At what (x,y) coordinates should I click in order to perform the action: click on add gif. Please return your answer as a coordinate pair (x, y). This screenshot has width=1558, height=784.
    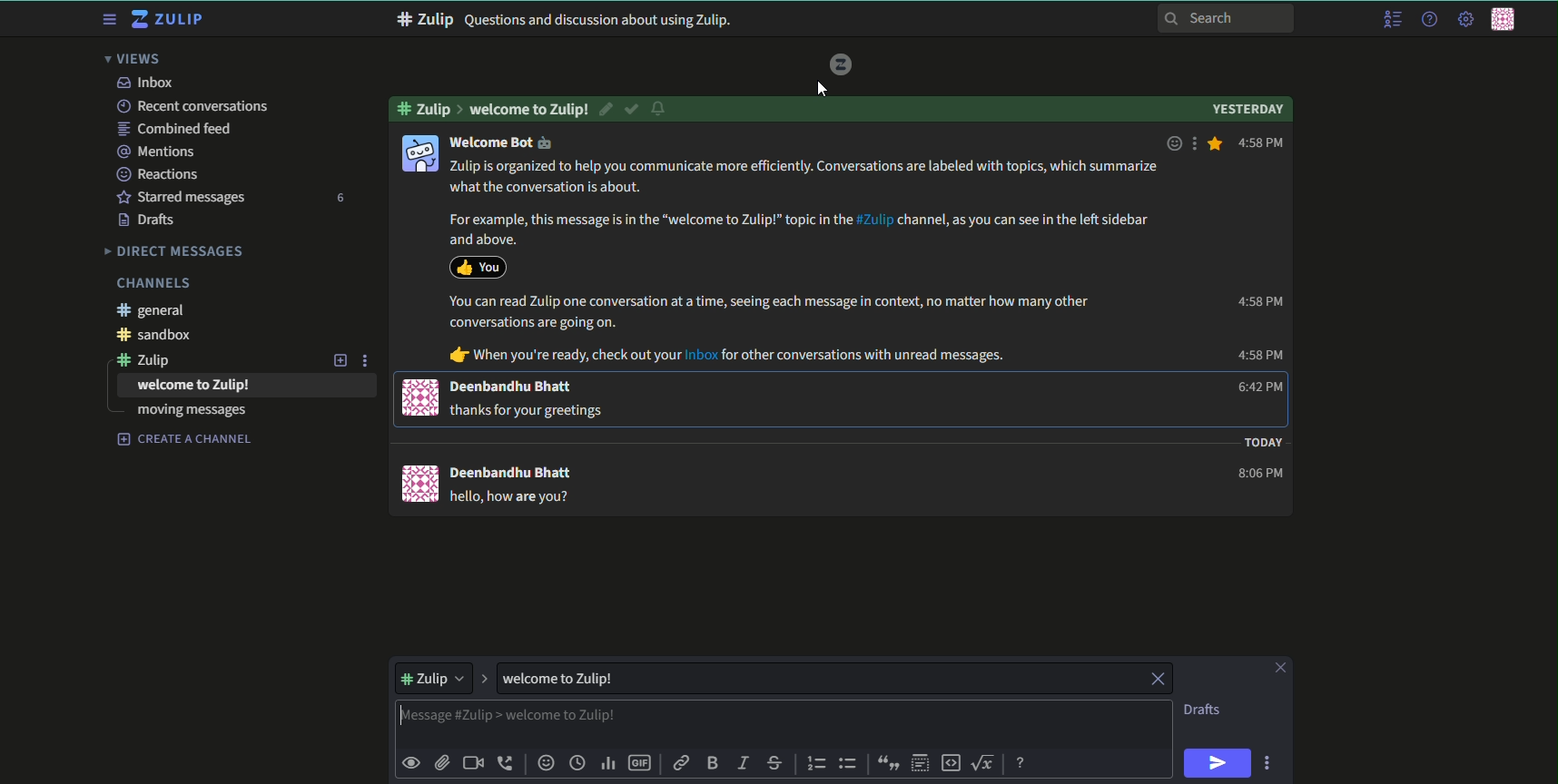
    Looking at the image, I should click on (642, 765).